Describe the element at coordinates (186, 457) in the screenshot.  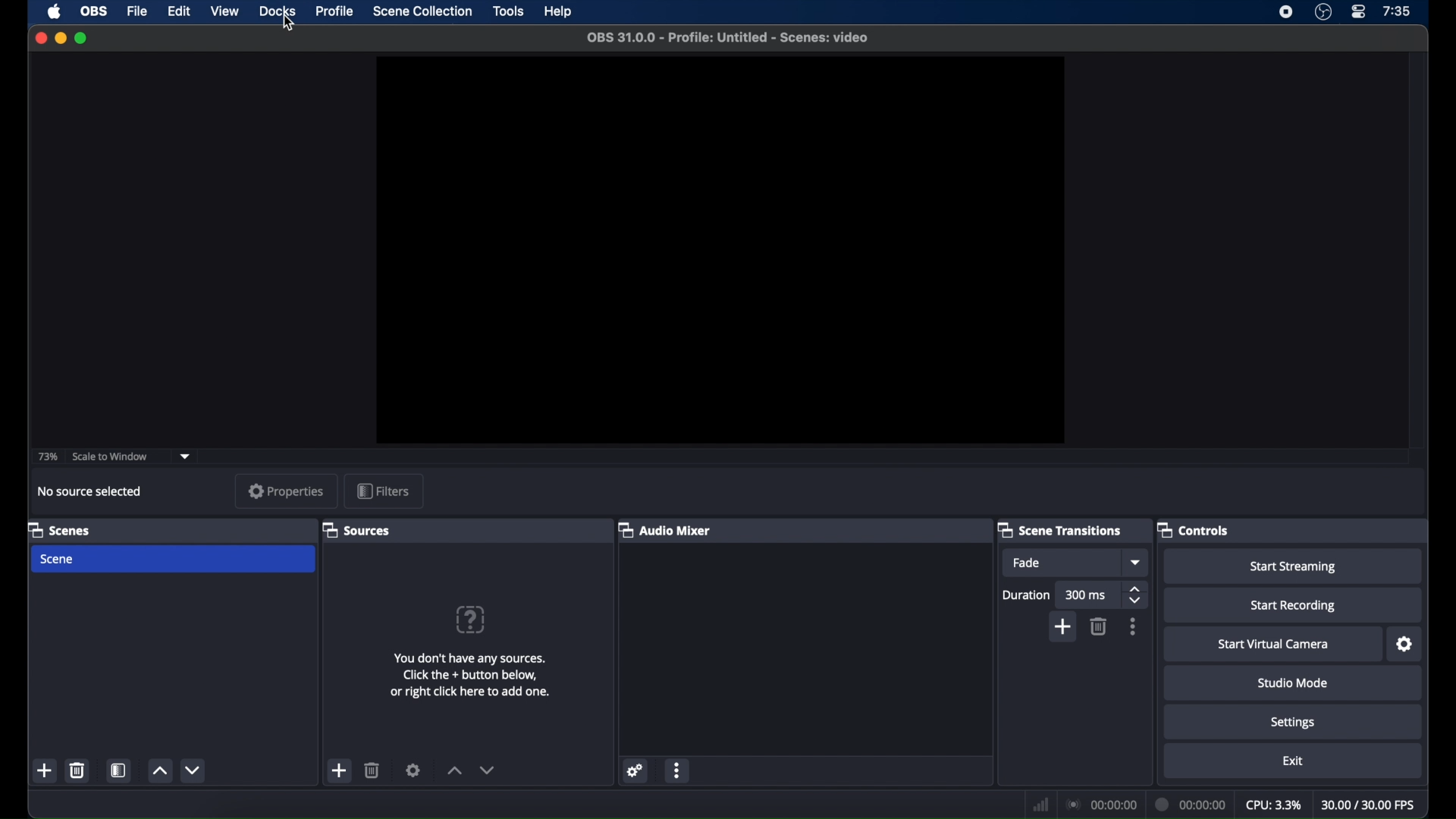
I see `dropdown` at that location.